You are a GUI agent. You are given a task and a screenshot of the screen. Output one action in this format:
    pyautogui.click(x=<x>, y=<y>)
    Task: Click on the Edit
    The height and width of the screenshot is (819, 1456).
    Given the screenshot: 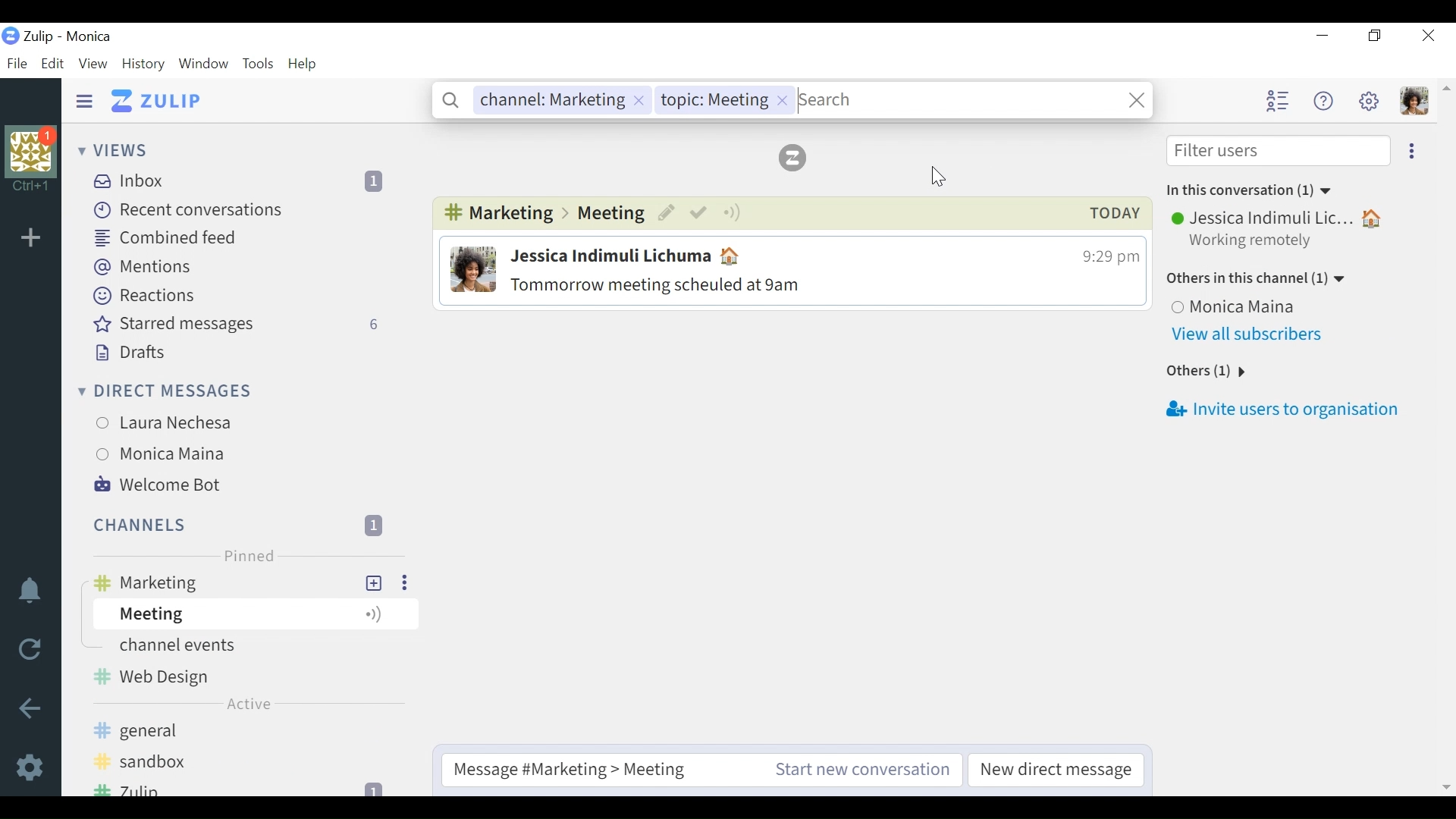 What is the action you would take?
    pyautogui.click(x=56, y=65)
    